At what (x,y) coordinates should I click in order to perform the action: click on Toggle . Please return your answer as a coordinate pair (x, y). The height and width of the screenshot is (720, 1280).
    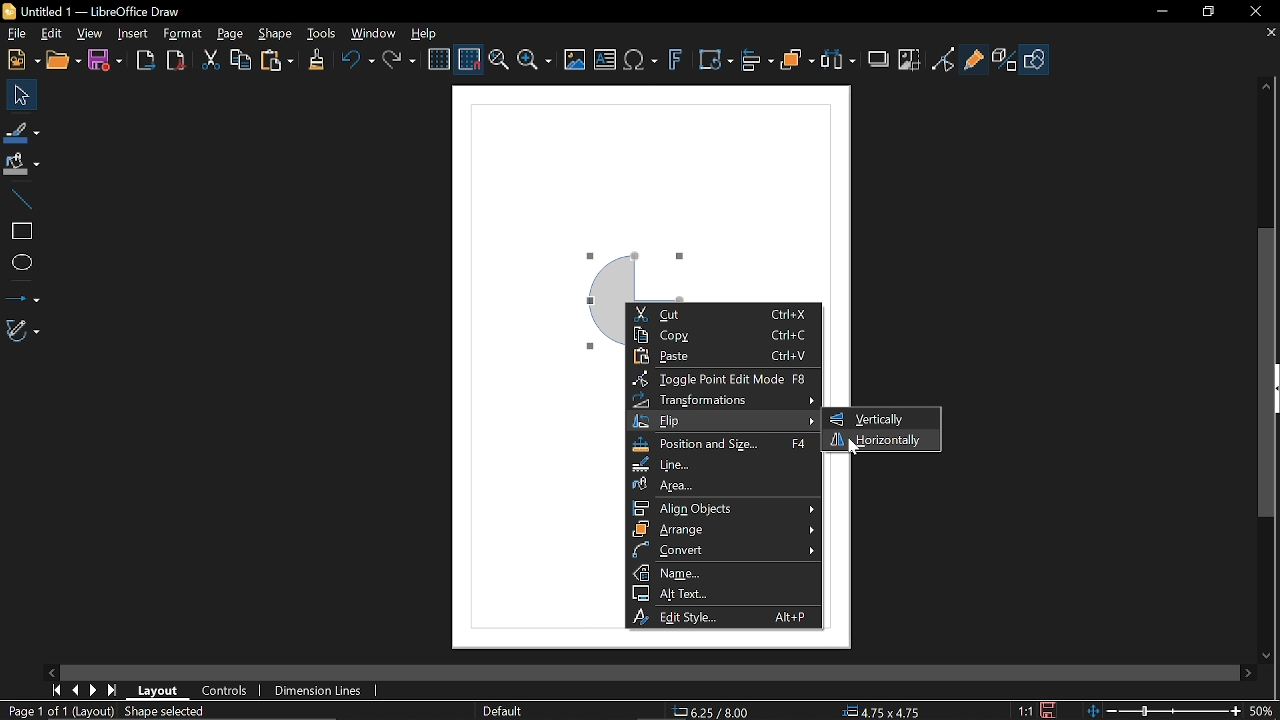
    Looking at the image, I should click on (945, 60).